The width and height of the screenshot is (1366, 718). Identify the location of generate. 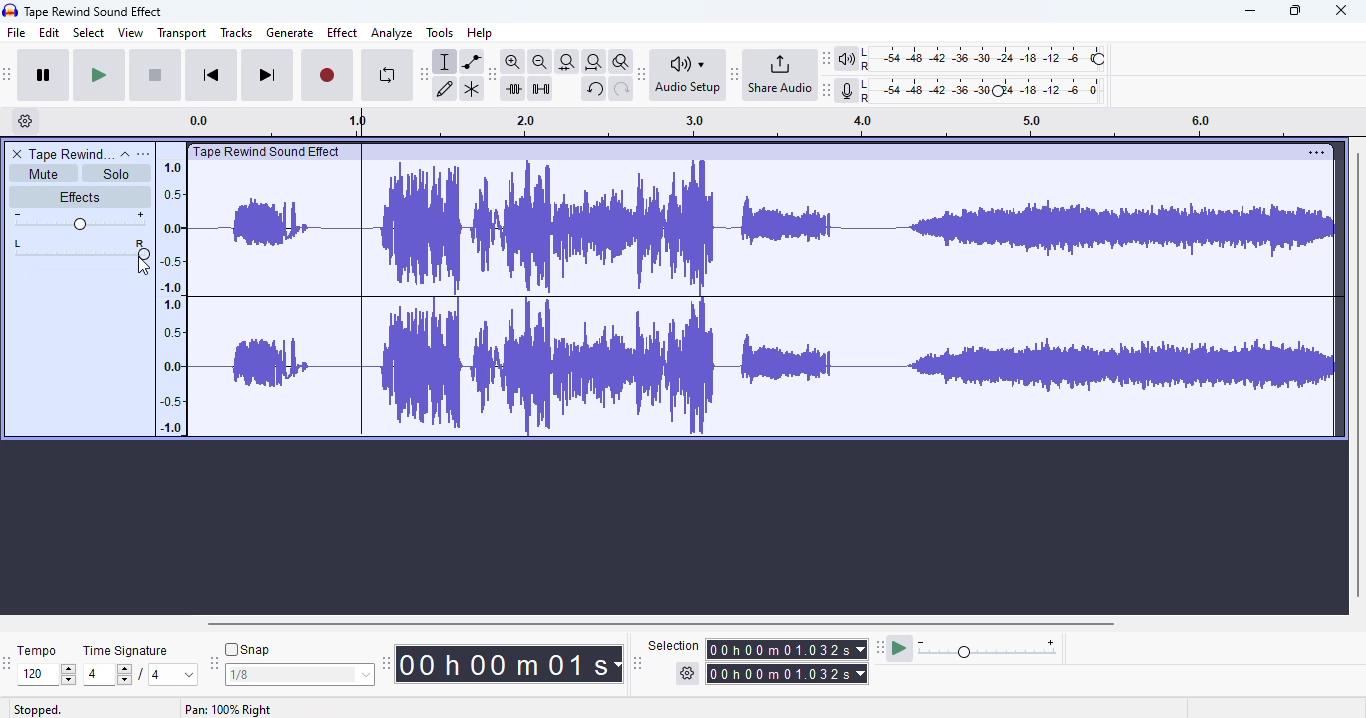
(290, 33).